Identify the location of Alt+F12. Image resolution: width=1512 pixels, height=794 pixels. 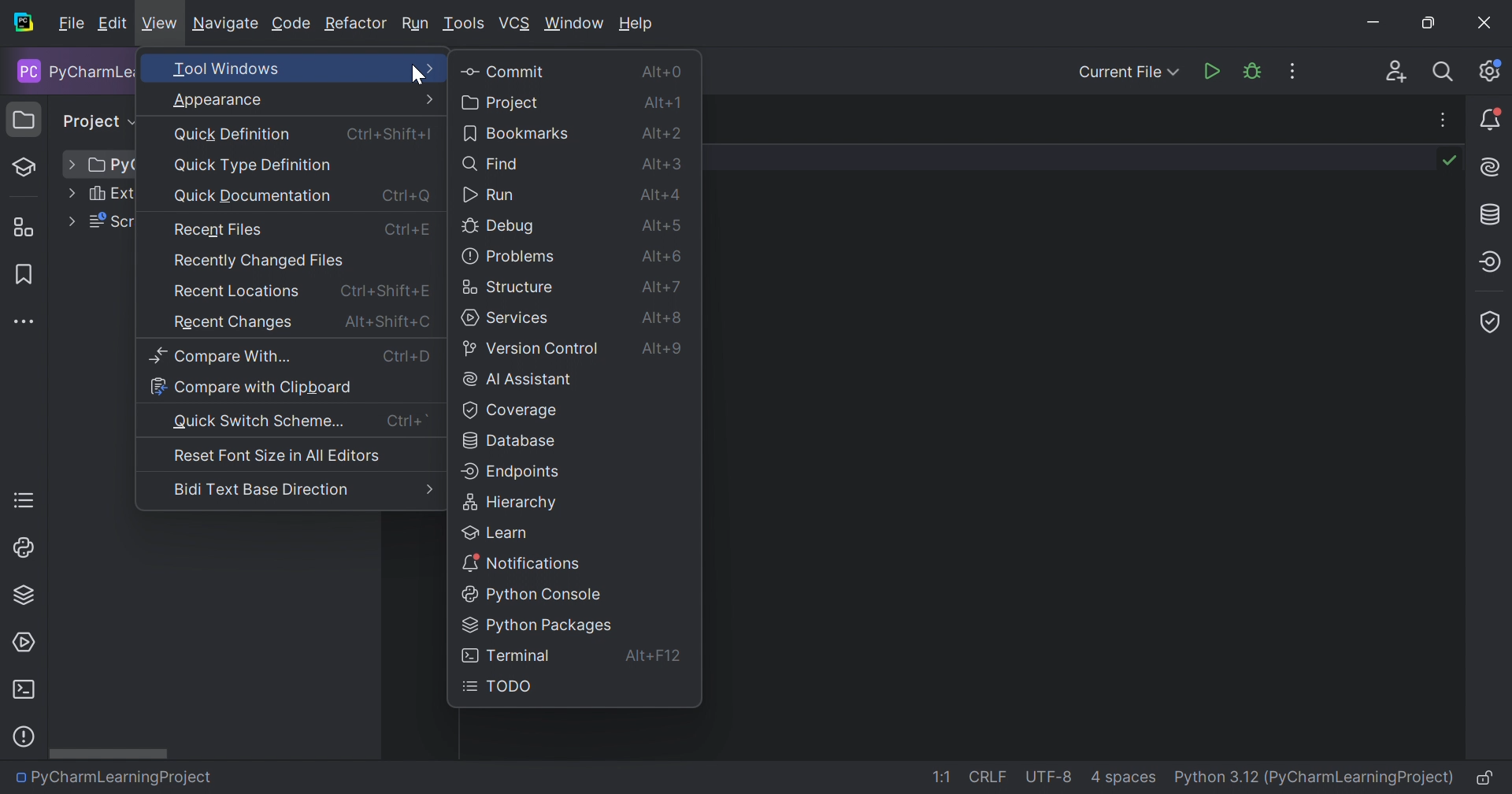
(654, 659).